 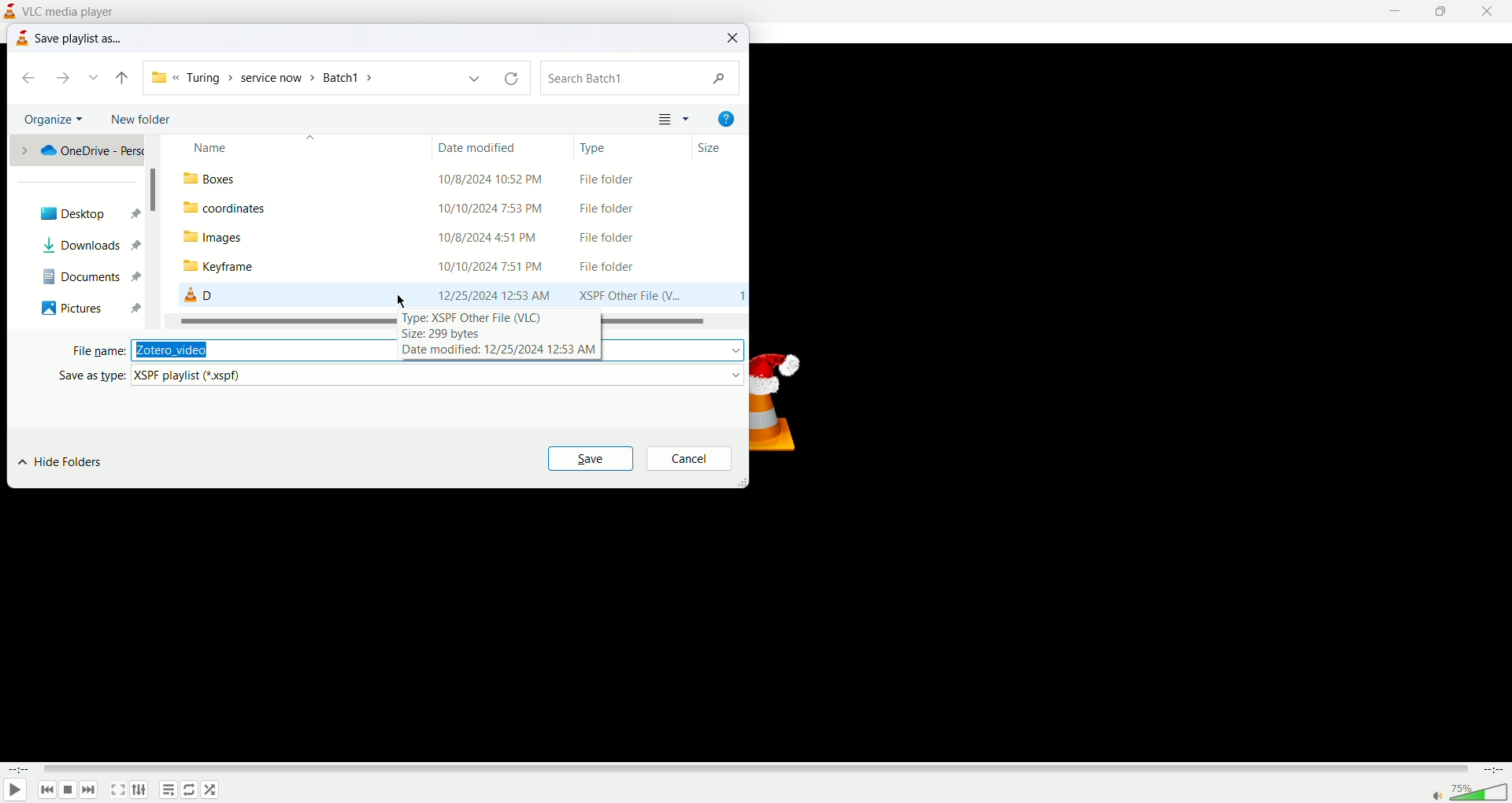 What do you see at coordinates (72, 306) in the screenshot?
I see `pictures` at bounding box center [72, 306].